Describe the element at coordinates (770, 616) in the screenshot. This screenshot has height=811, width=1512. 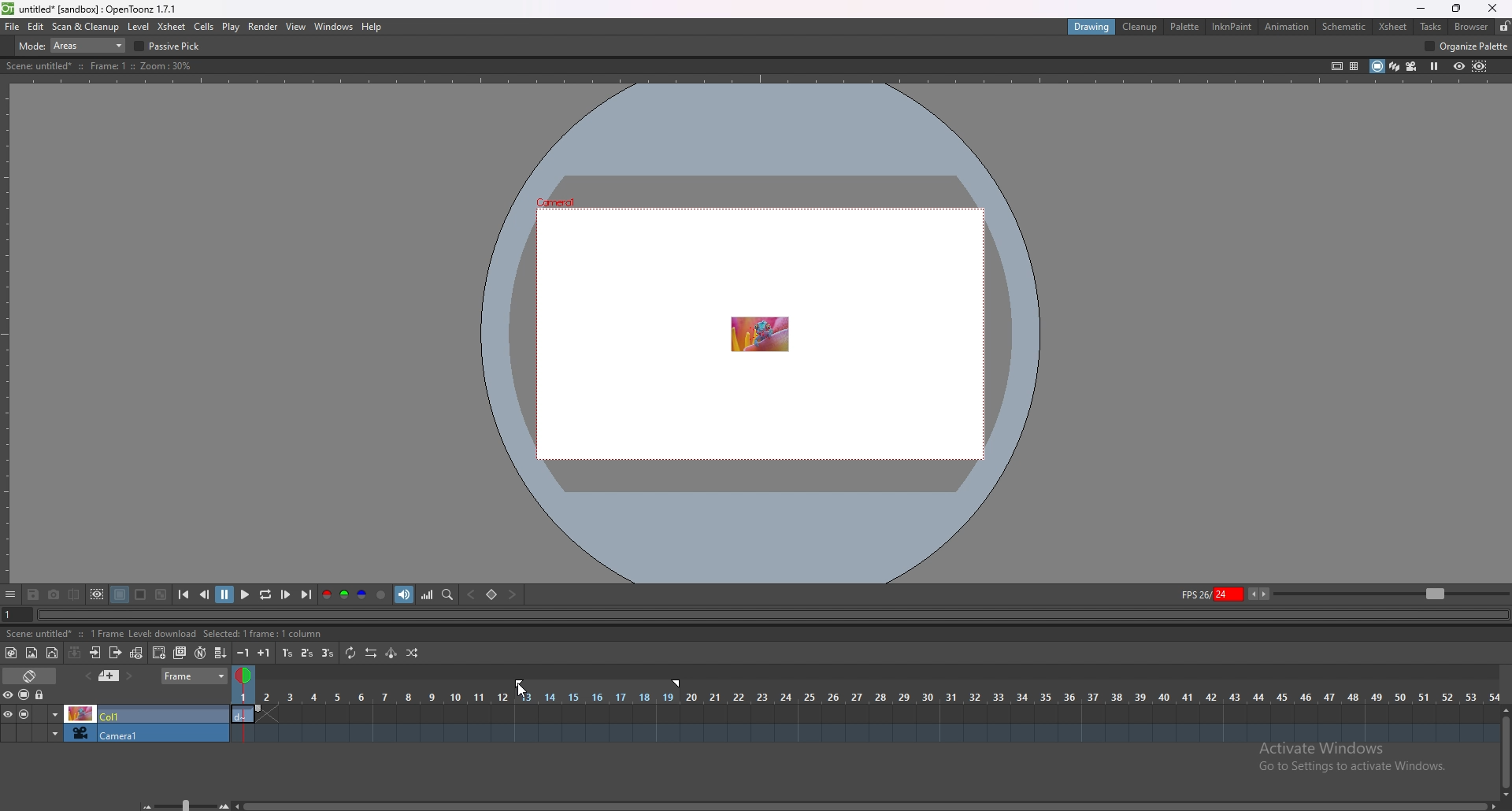
I see `seek` at that location.